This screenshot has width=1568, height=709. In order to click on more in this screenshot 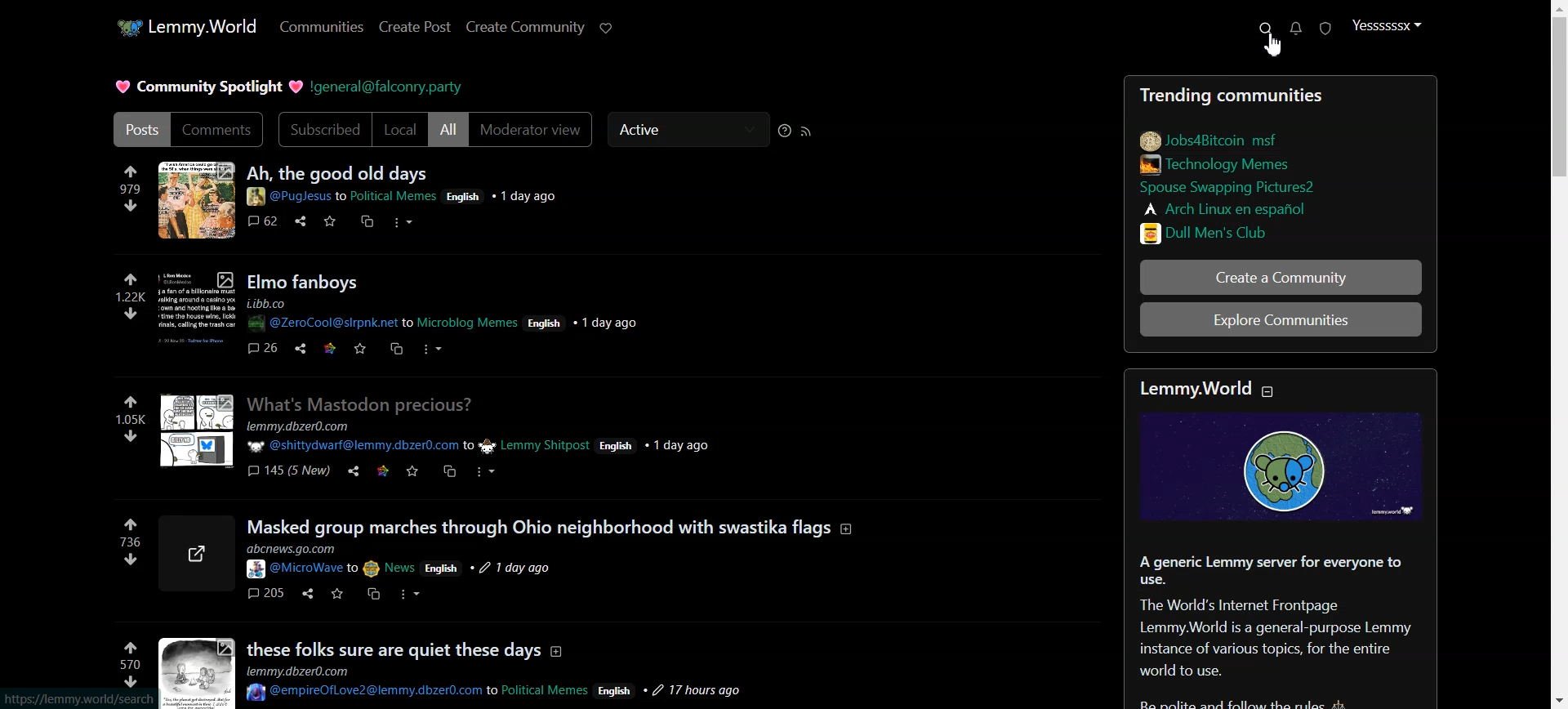, I will do `click(431, 349)`.